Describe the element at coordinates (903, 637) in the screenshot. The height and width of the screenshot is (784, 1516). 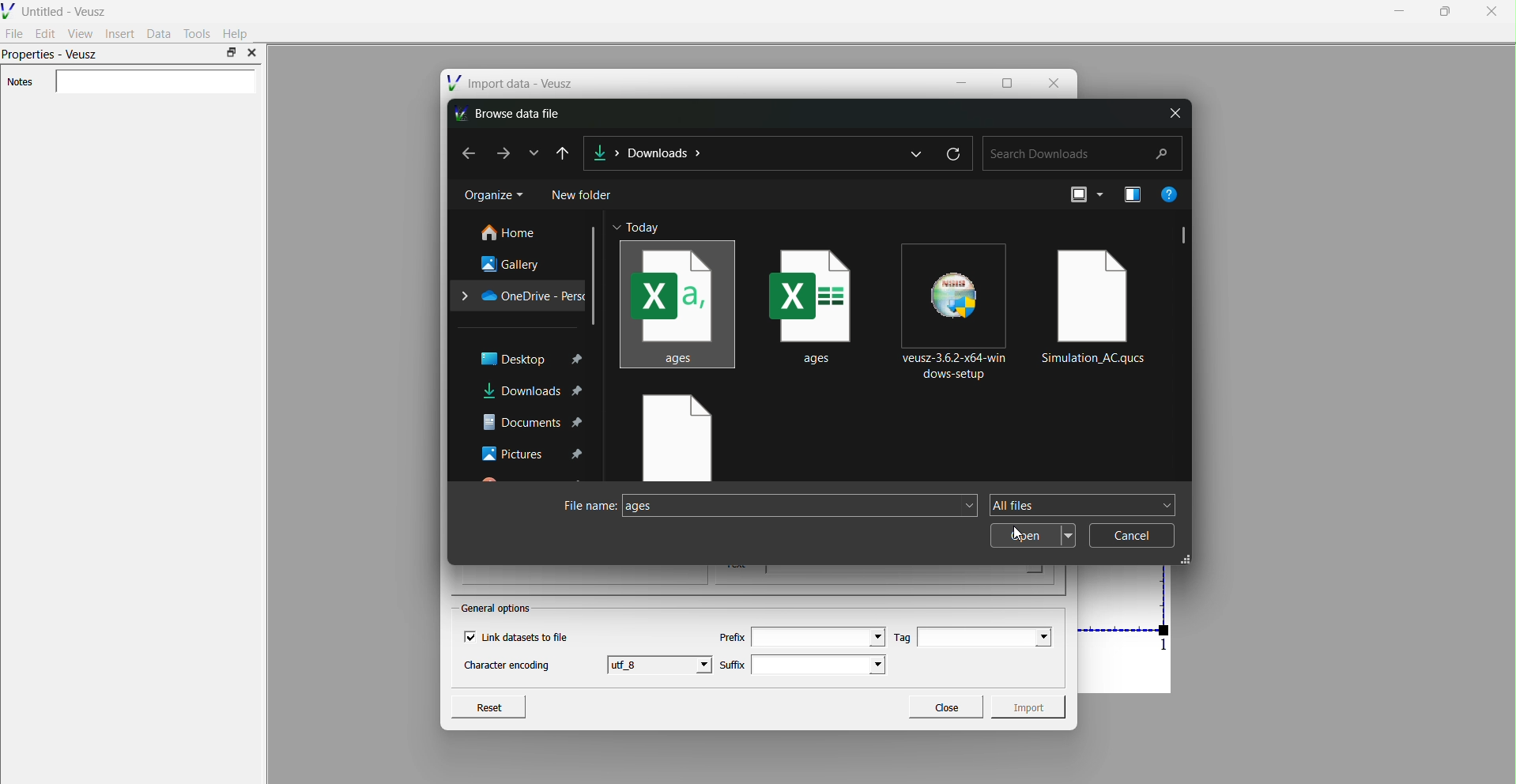
I see `Tag` at that location.